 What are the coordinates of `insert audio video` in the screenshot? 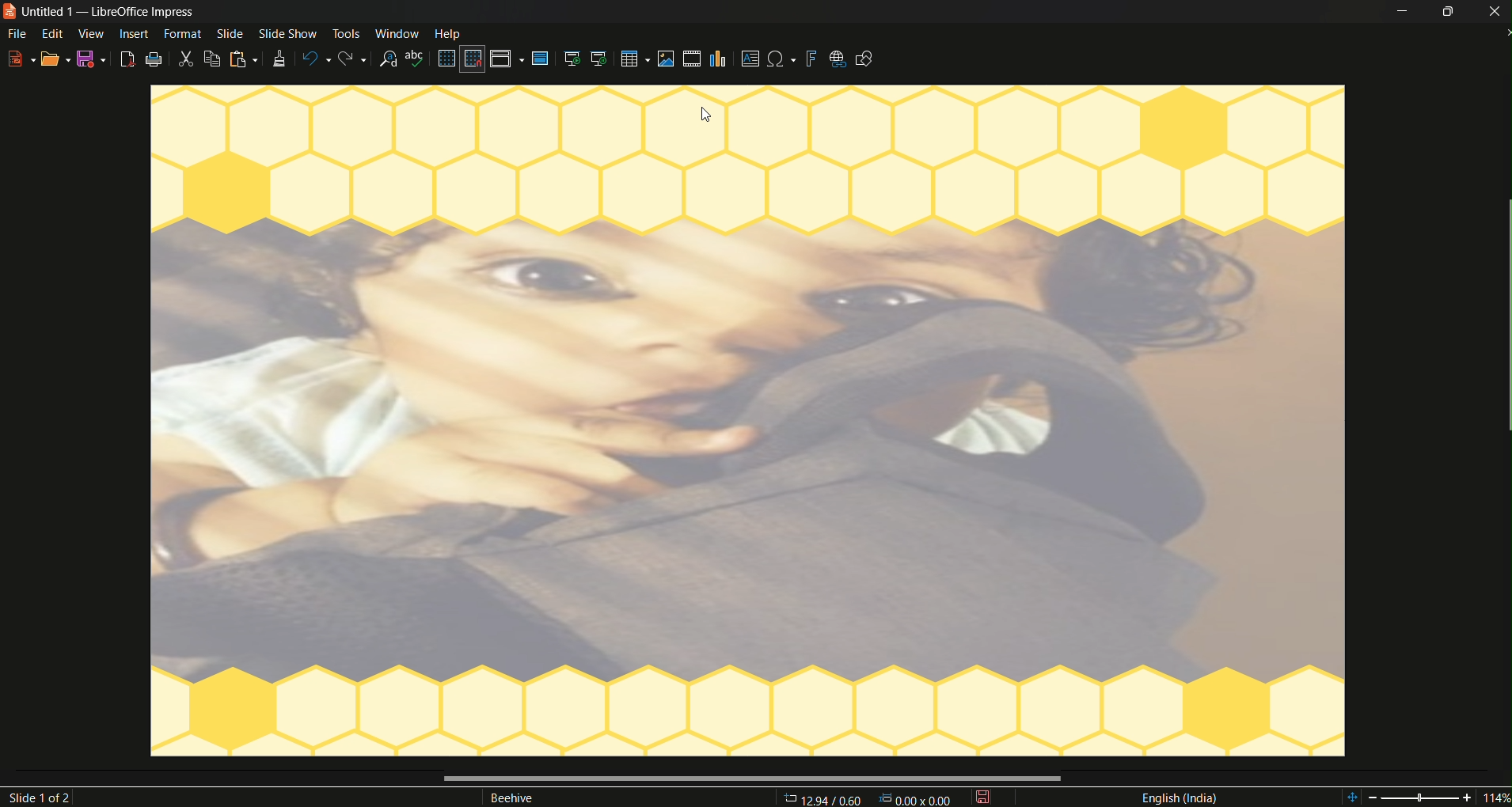 It's located at (693, 59).